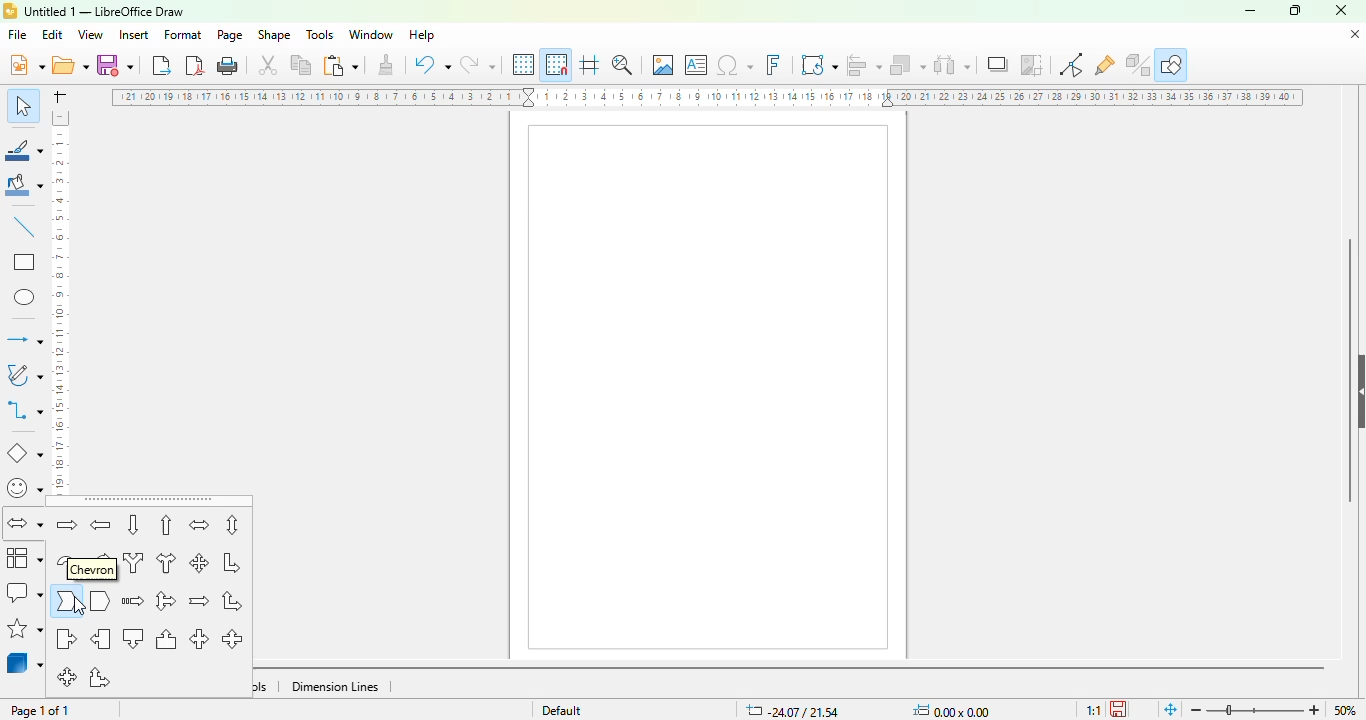 The image size is (1366, 720). I want to click on helplines while moving, so click(590, 64).